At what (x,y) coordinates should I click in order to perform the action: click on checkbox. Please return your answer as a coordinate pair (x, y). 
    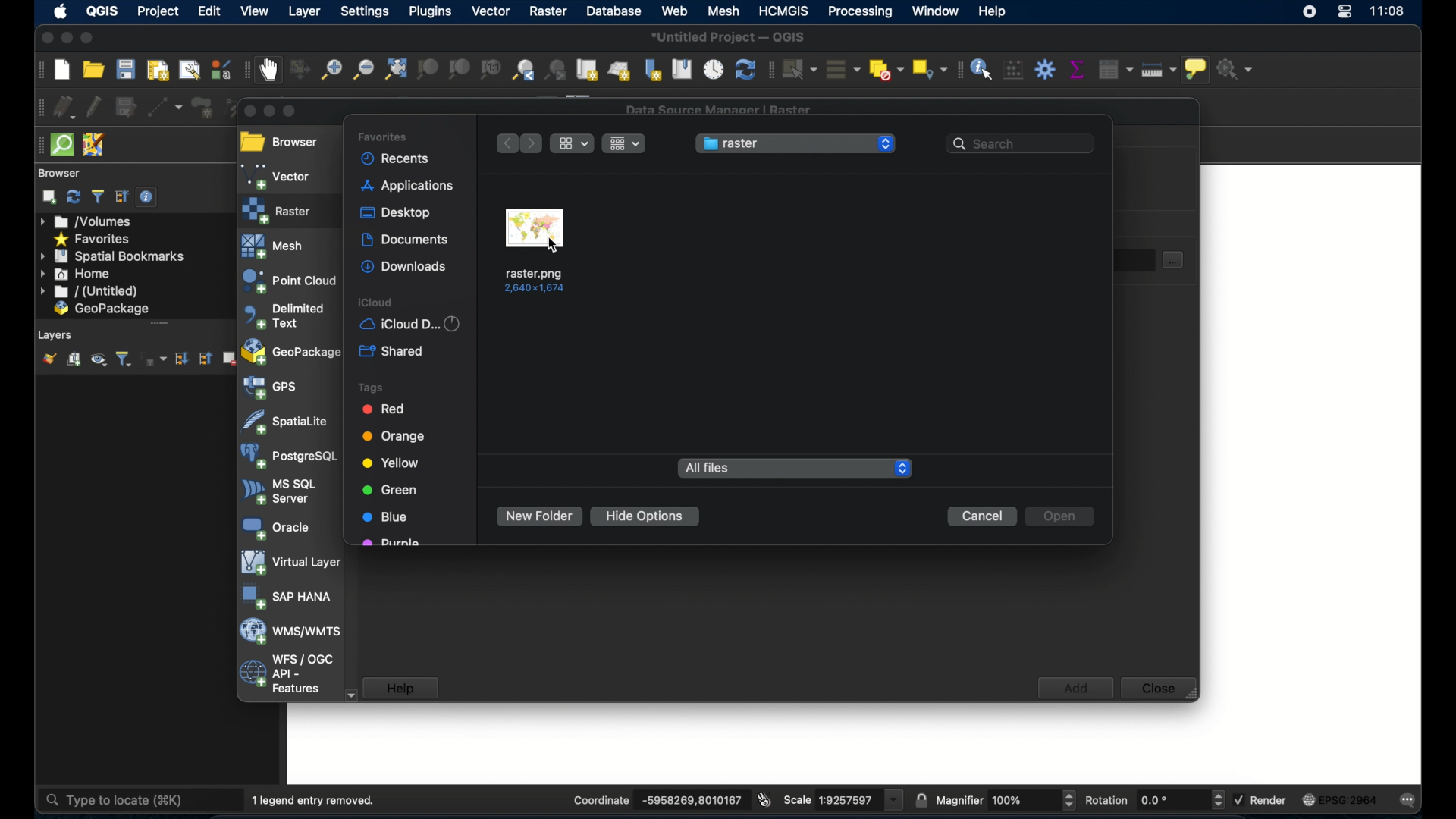
    Looking at the image, I should click on (1238, 799).